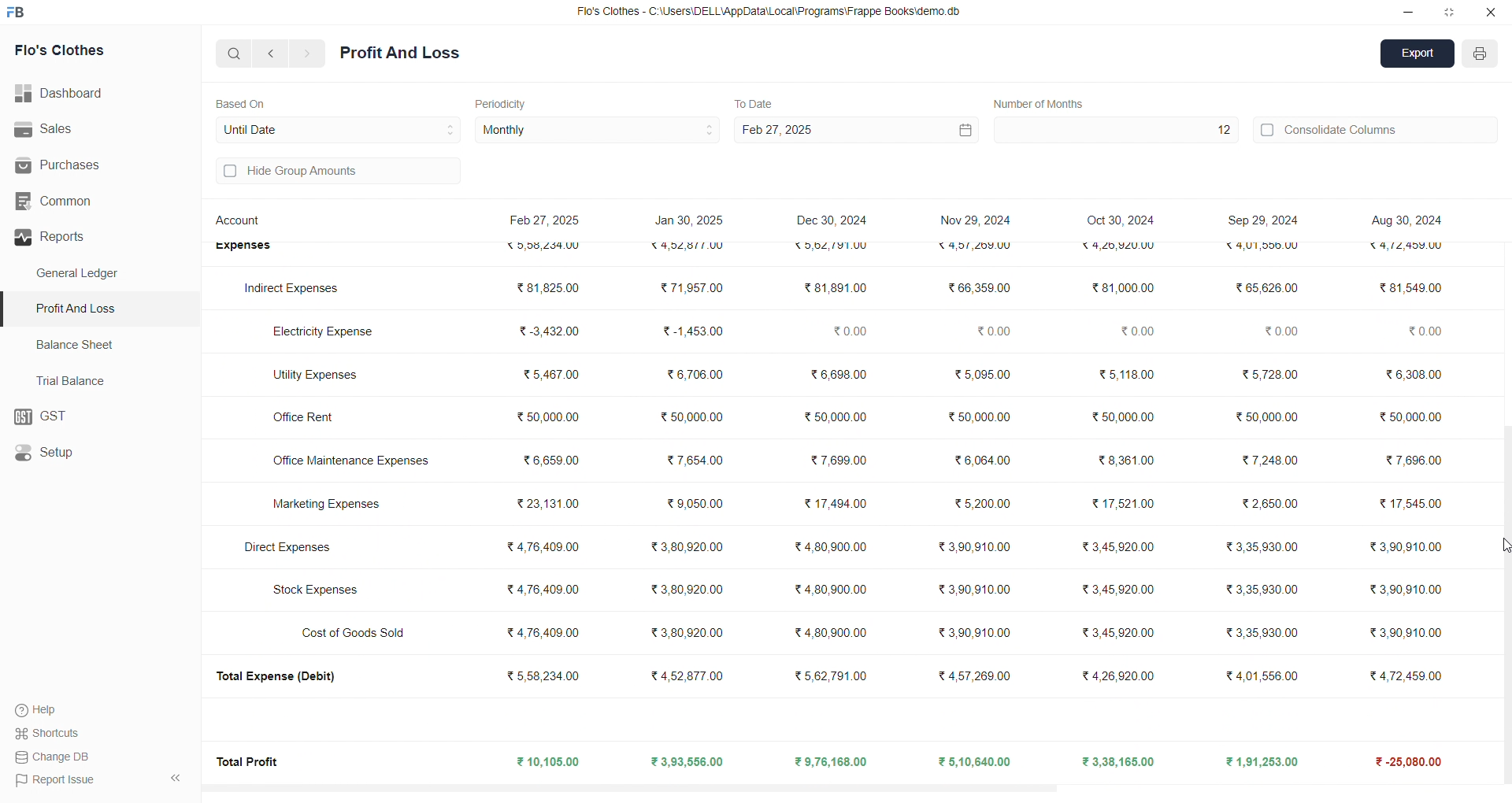 The image size is (1512, 803). Describe the element at coordinates (694, 462) in the screenshot. I see `₹ 7,654.00` at that location.